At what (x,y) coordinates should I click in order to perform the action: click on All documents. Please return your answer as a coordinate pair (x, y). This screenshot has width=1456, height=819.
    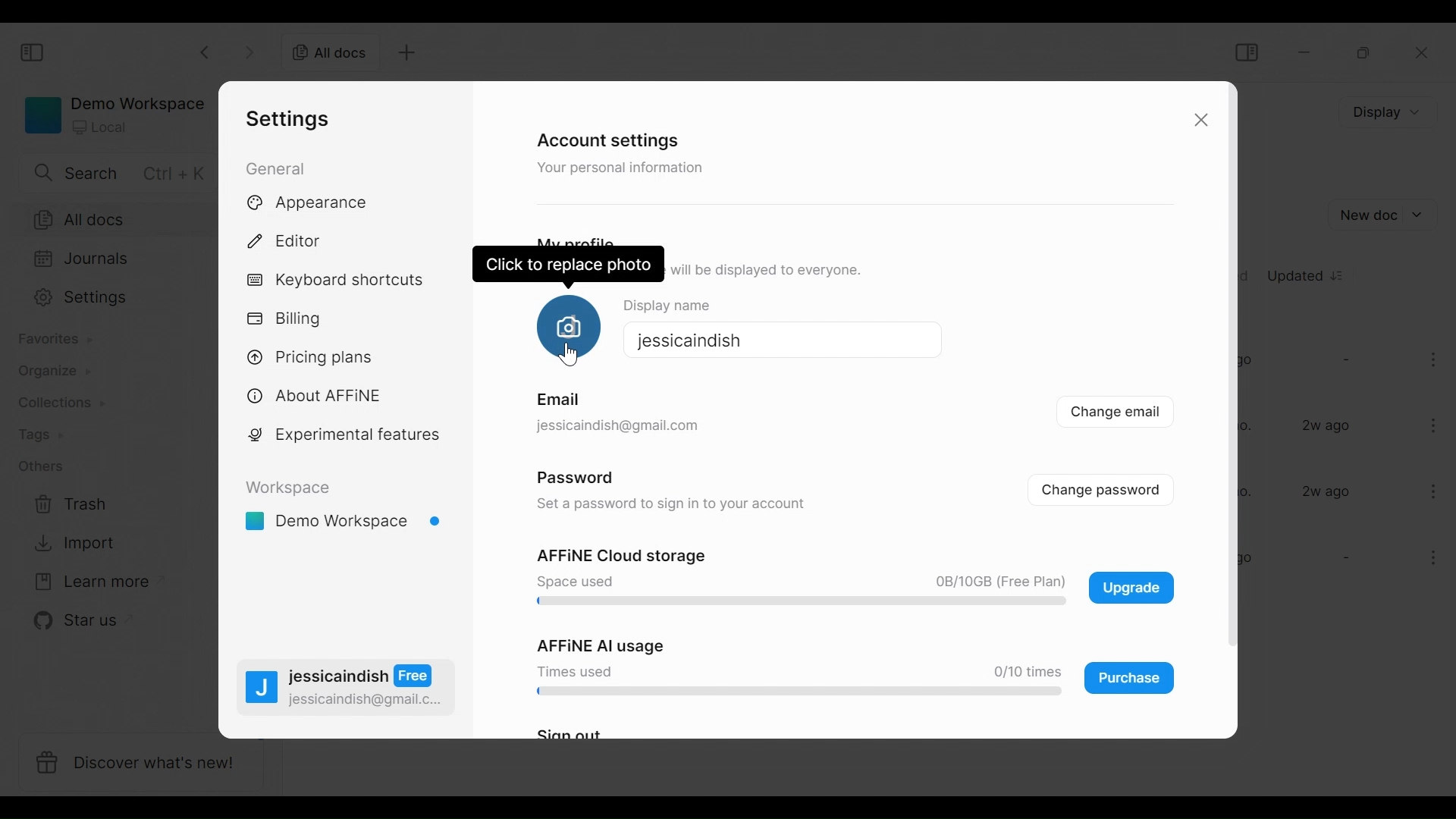
    Looking at the image, I should click on (121, 218).